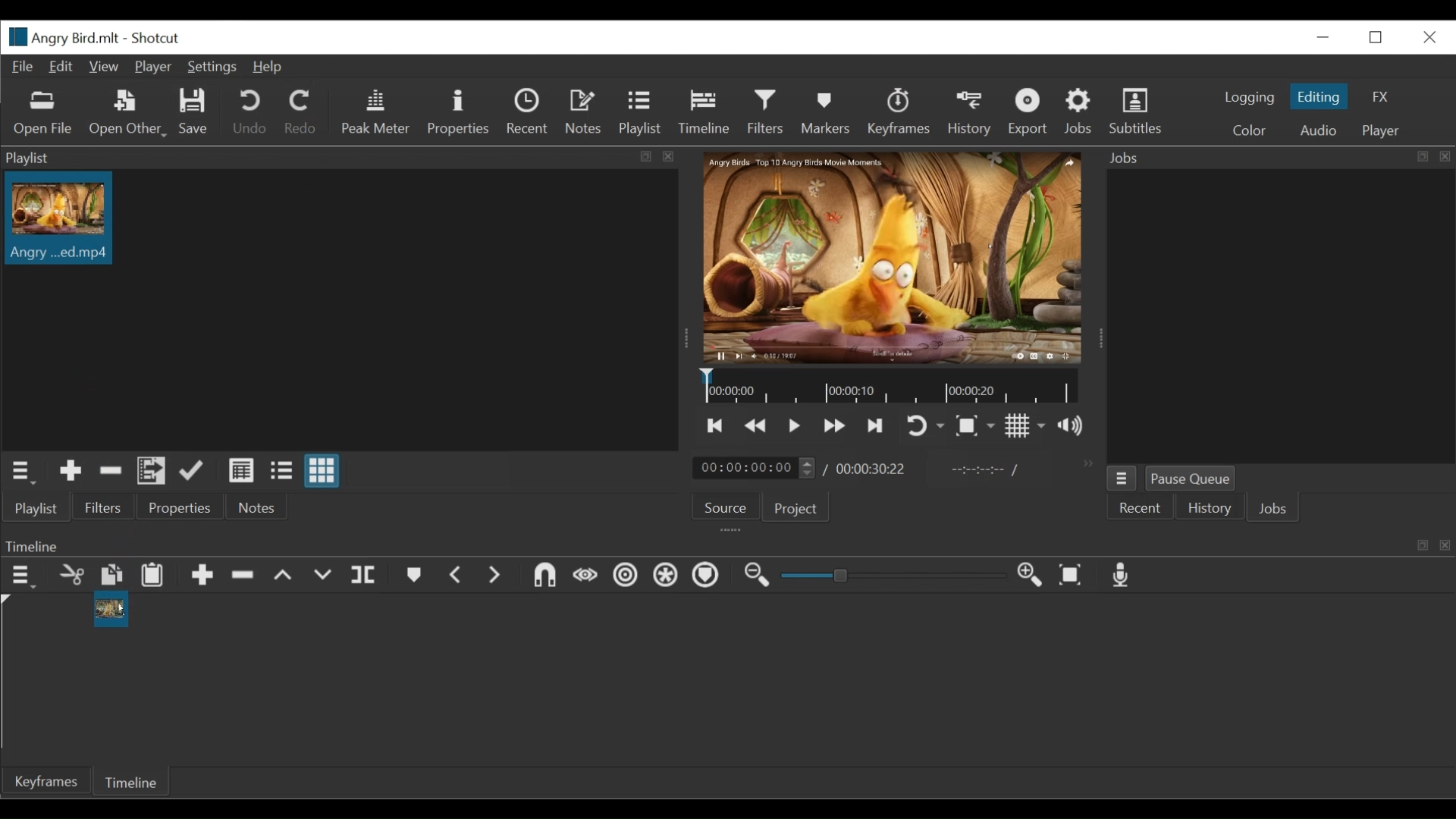  I want to click on Close, so click(1428, 37).